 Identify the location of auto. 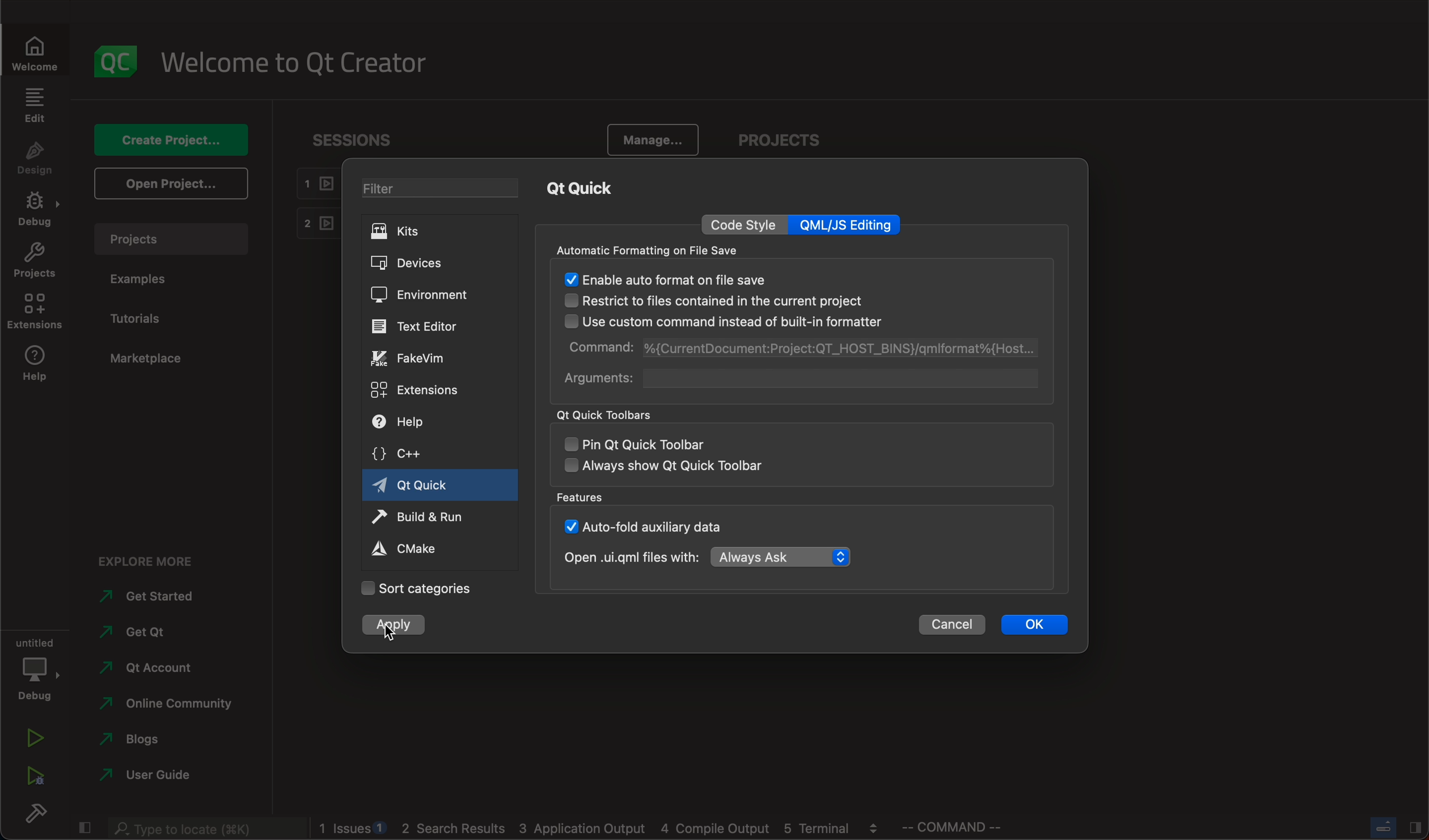
(667, 525).